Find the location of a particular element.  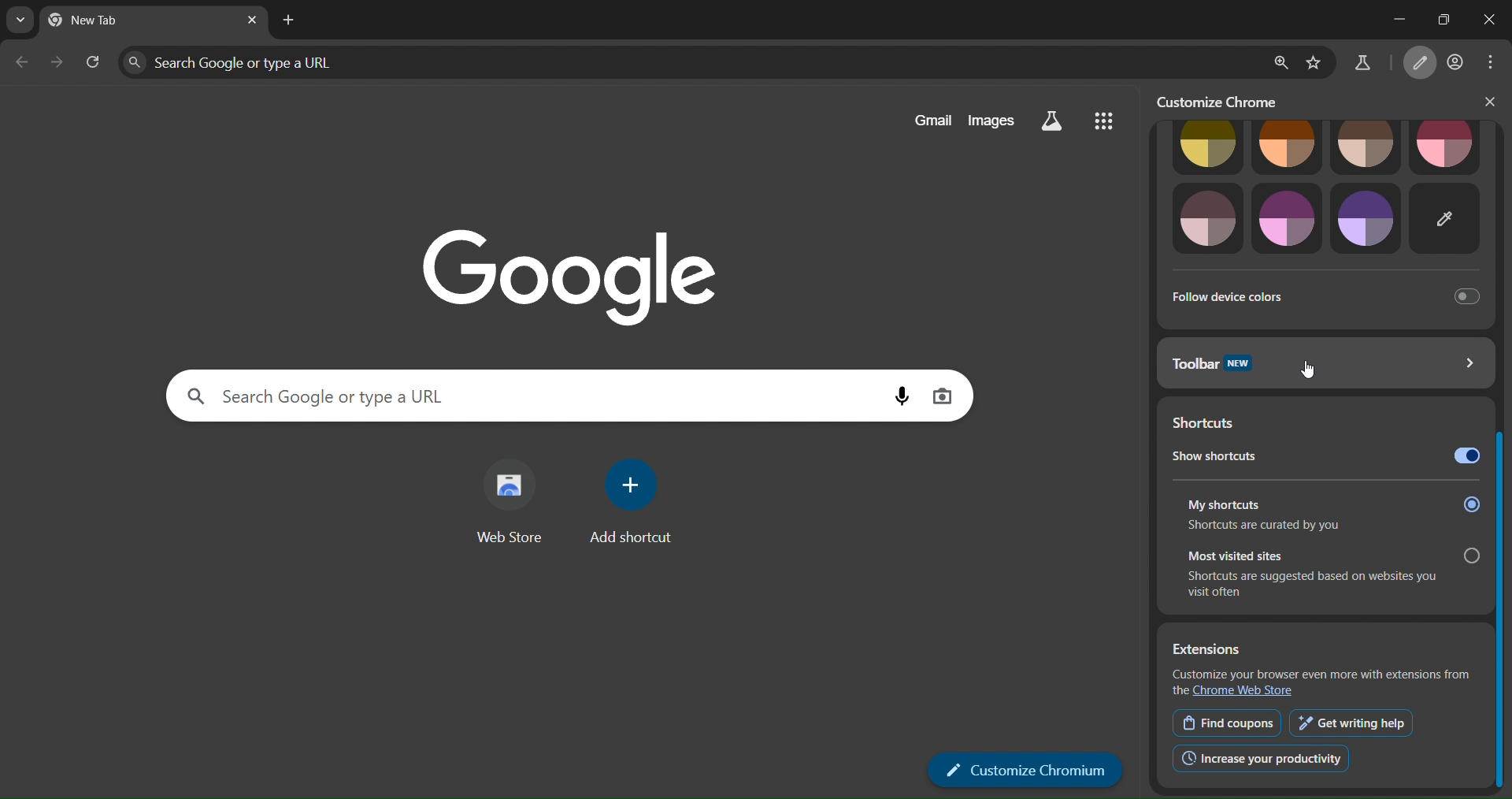

go back one page is located at coordinates (22, 61).